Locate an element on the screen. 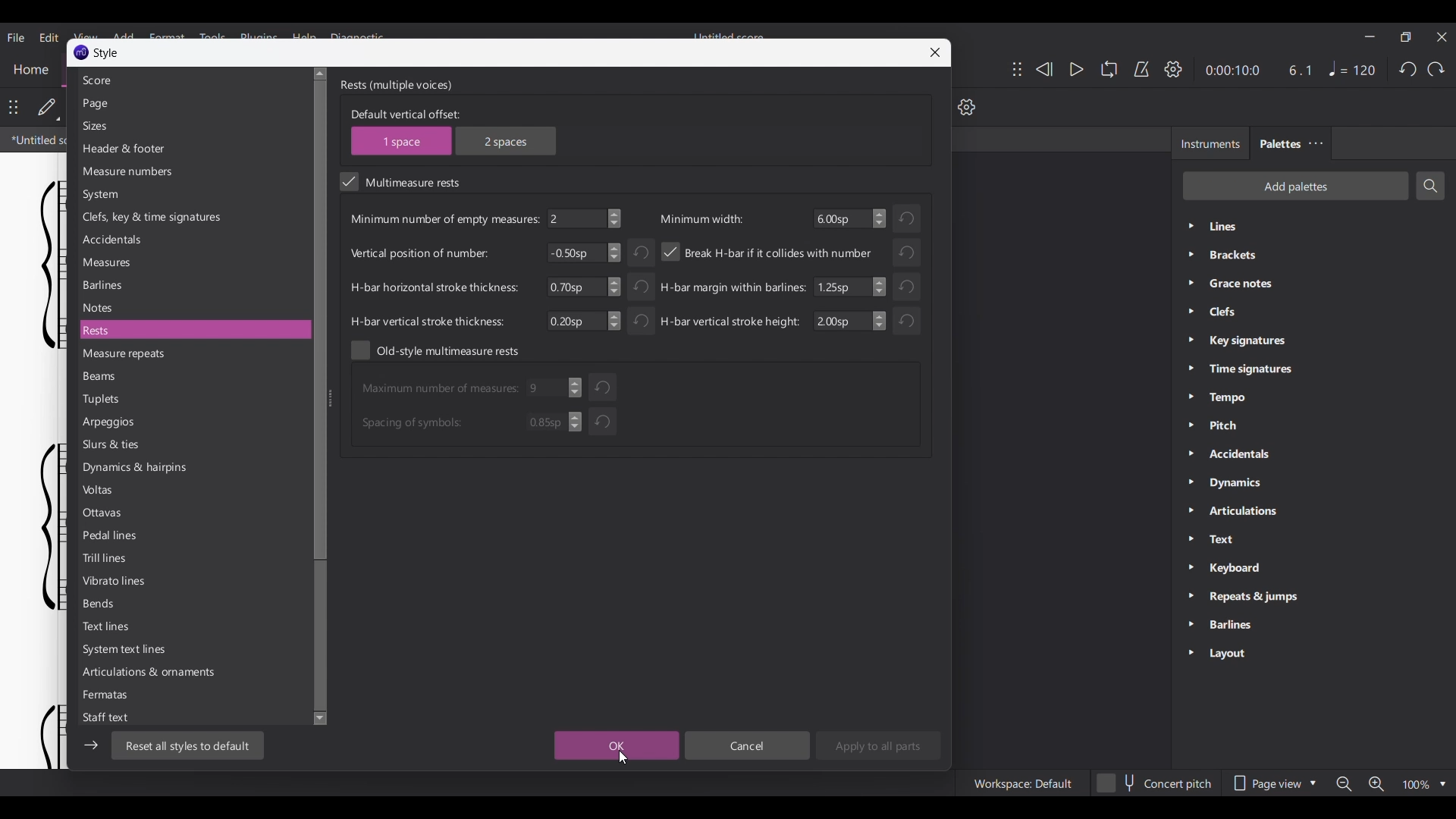  Toggle for Concert pitch is located at coordinates (1155, 783).